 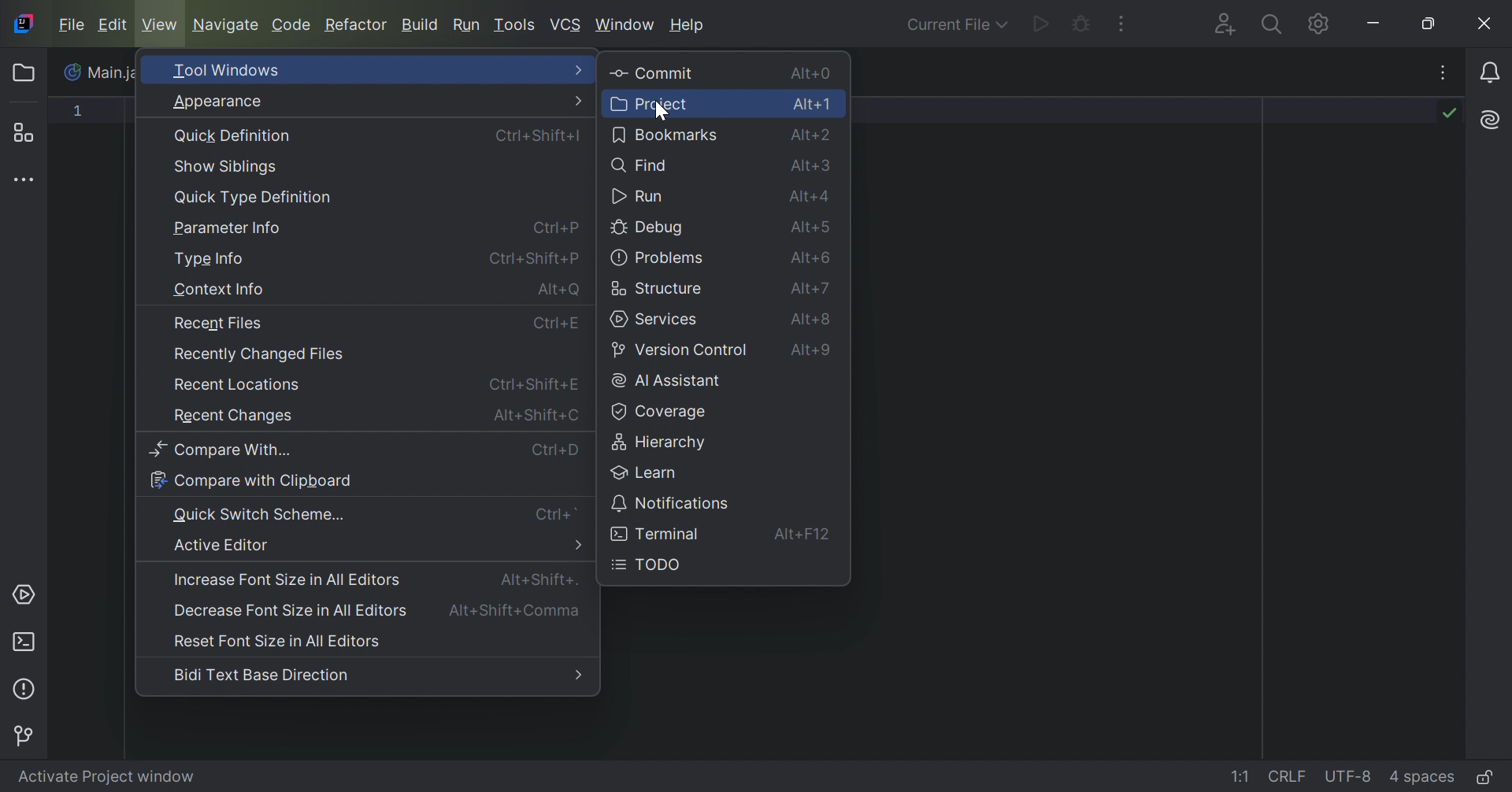 What do you see at coordinates (627, 24) in the screenshot?
I see `Window` at bounding box center [627, 24].